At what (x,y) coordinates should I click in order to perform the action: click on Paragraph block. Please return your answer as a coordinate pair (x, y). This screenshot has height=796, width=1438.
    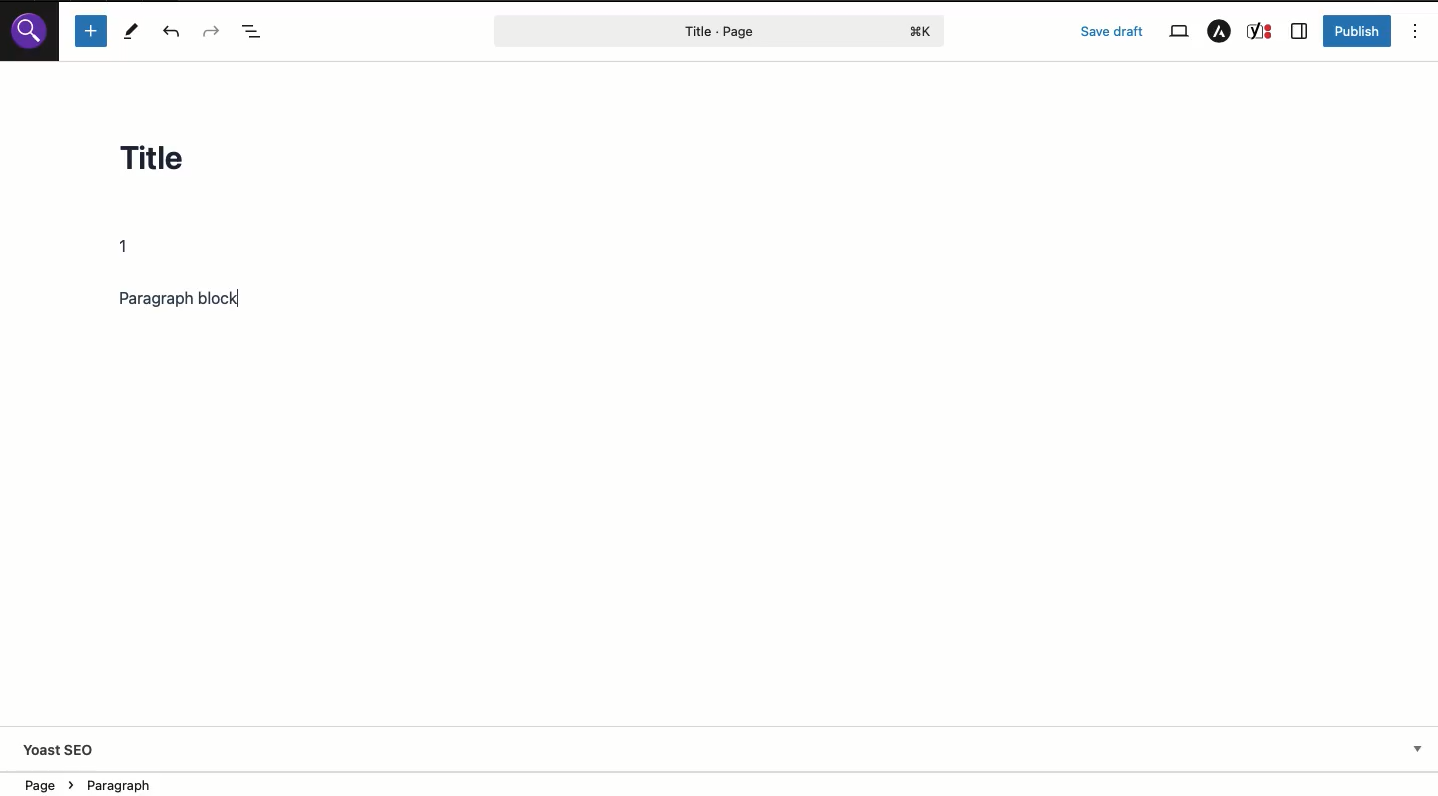
    Looking at the image, I should click on (201, 299).